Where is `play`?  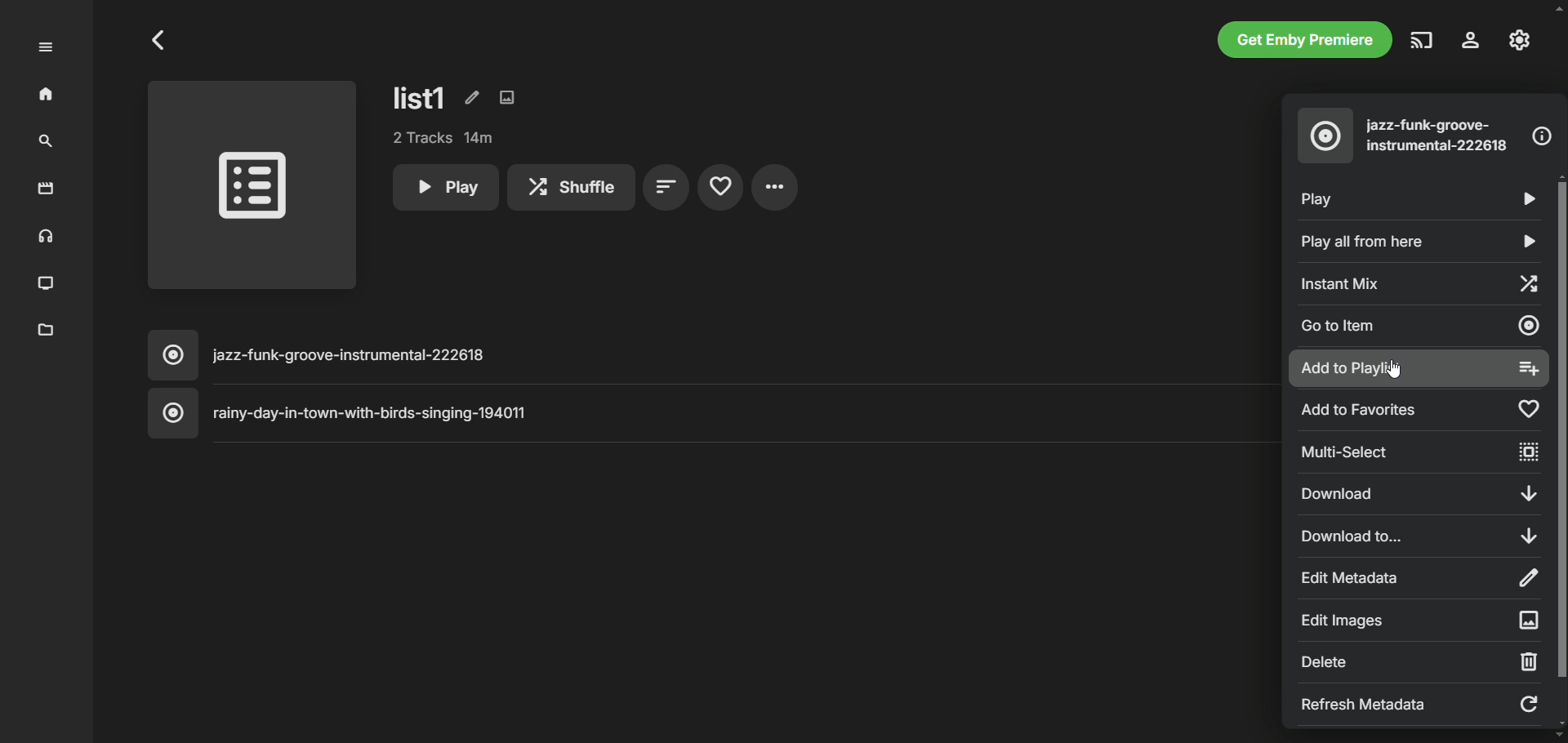 play is located at coordinates (444, 187).